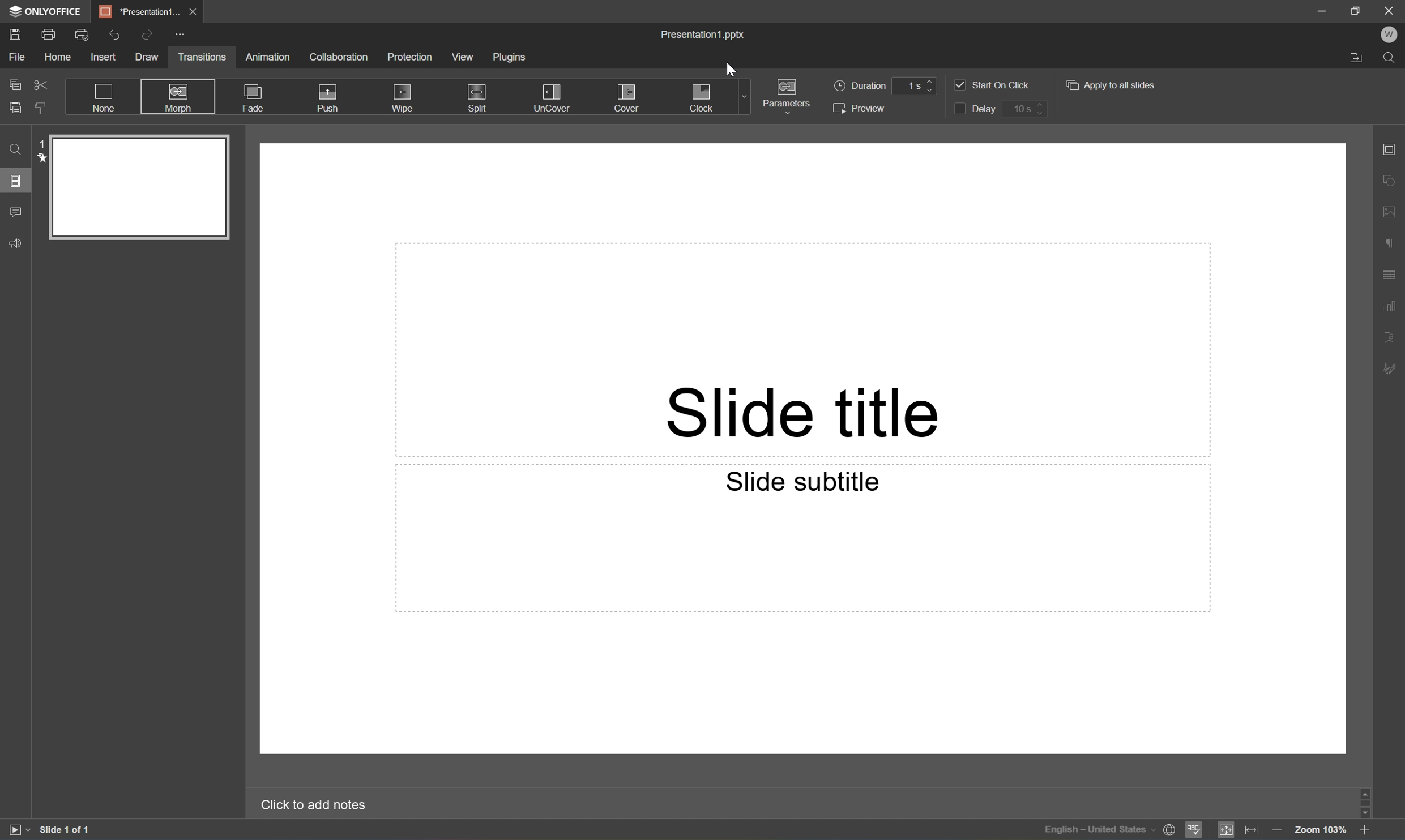 The width and height of the screenshot is (1405, 840). What do you see at coordinates (48, 11) in the screenshot?
I see `ONLYOFFICE` at bounding box center [48, 11].